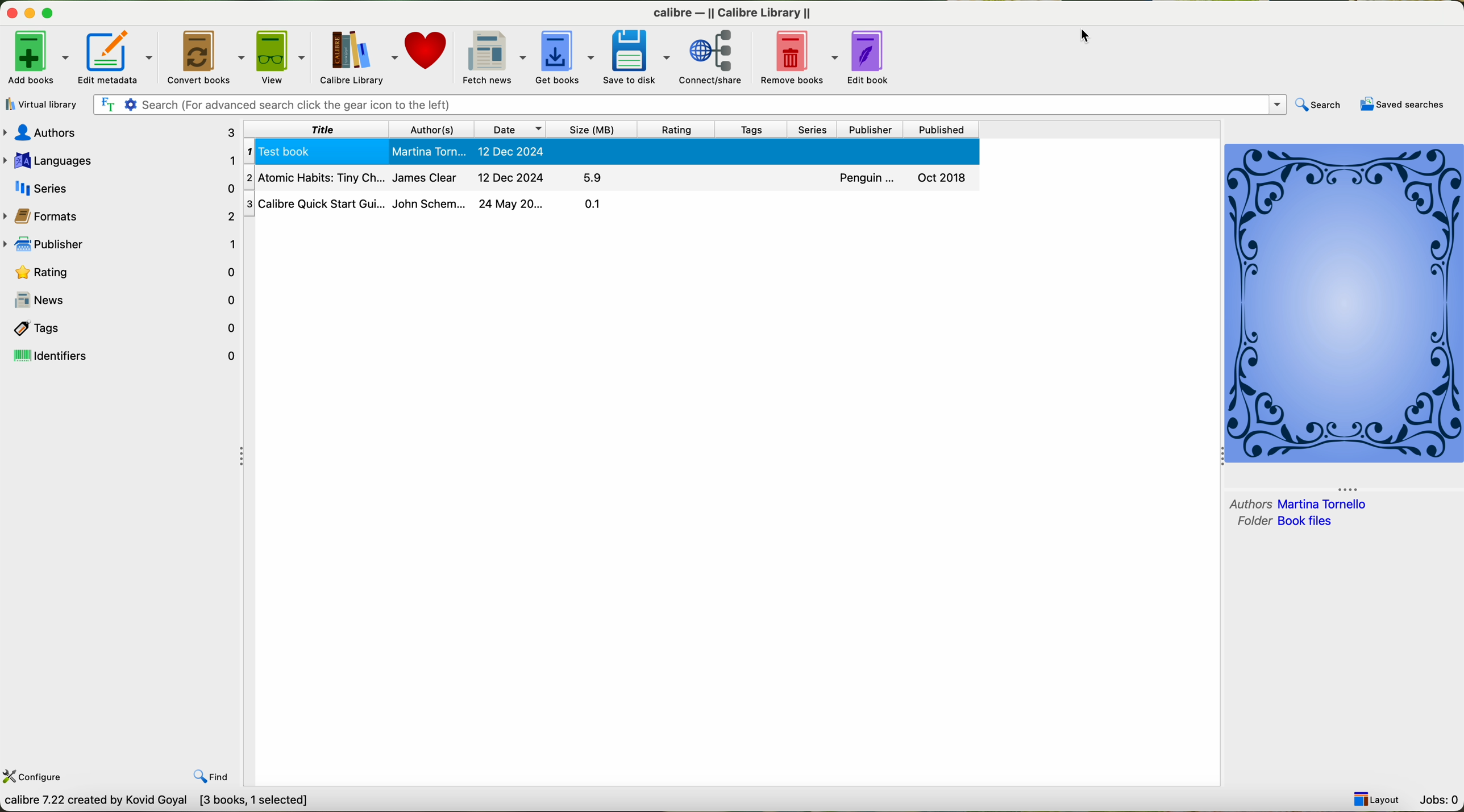 This screenshot has height=812, width=1464. I want to click on get books, so click(563, 57).